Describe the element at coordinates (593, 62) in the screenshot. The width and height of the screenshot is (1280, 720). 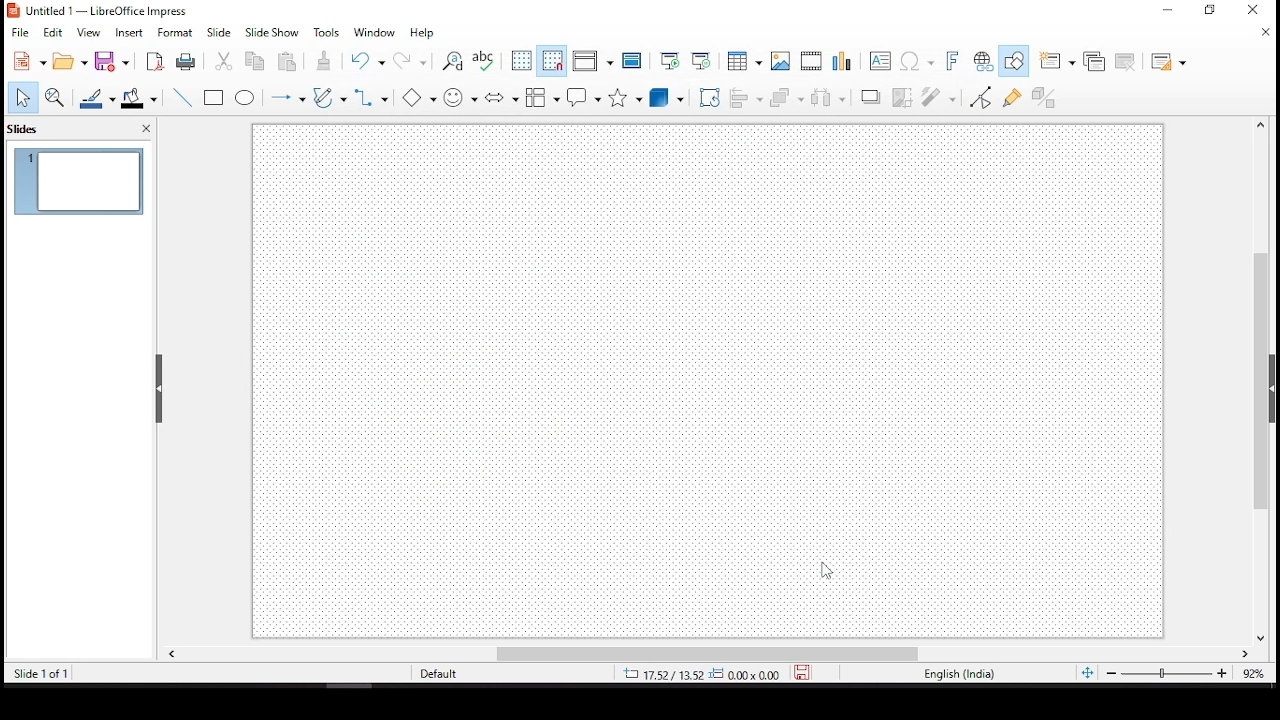
I see `display views` at that location.